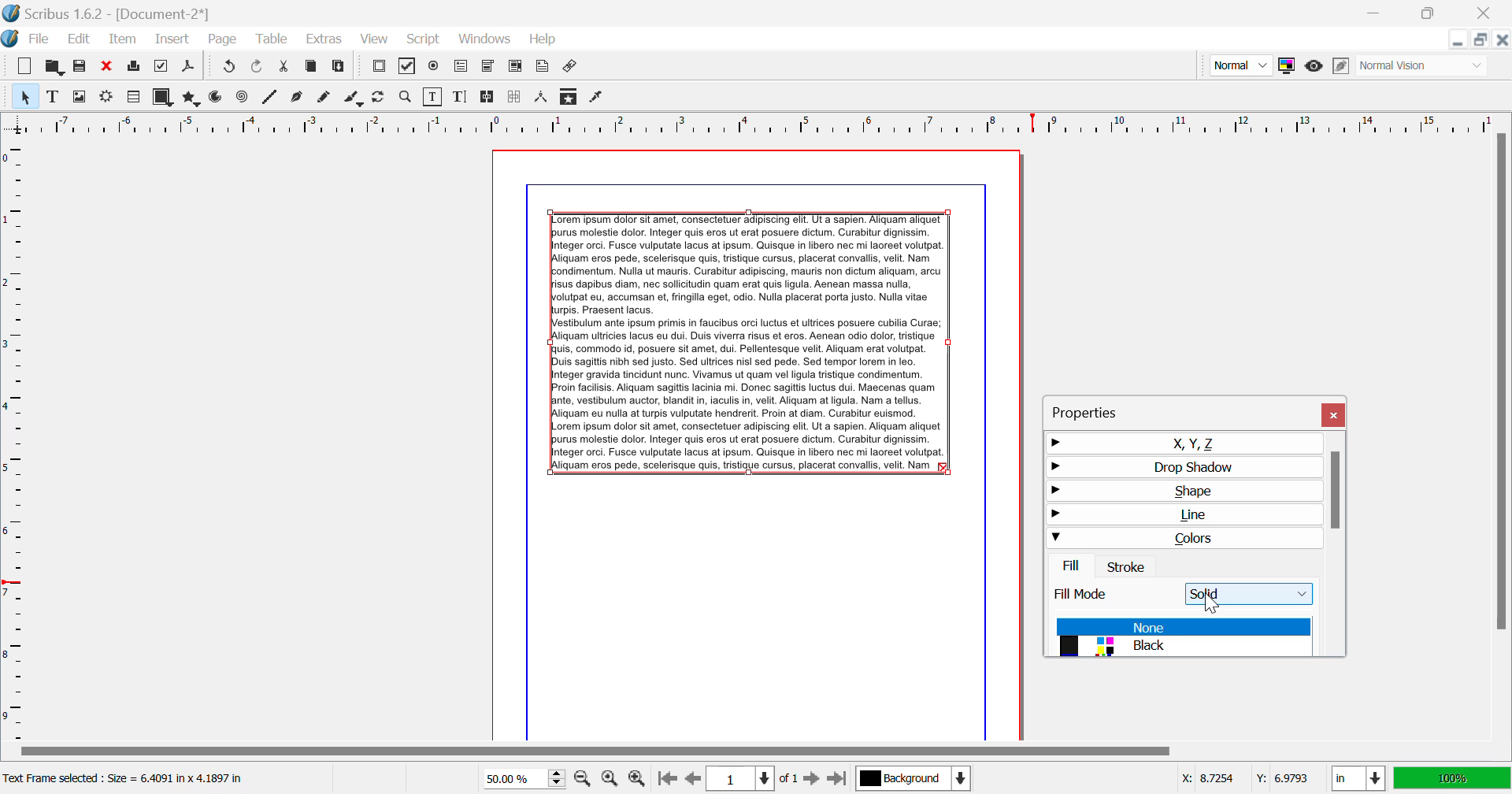 The image size is (1512, 794). What do you see at coordinates (516, 97) in the screenshot?
I see `Delink Frames` at bounding box center [516, 97].